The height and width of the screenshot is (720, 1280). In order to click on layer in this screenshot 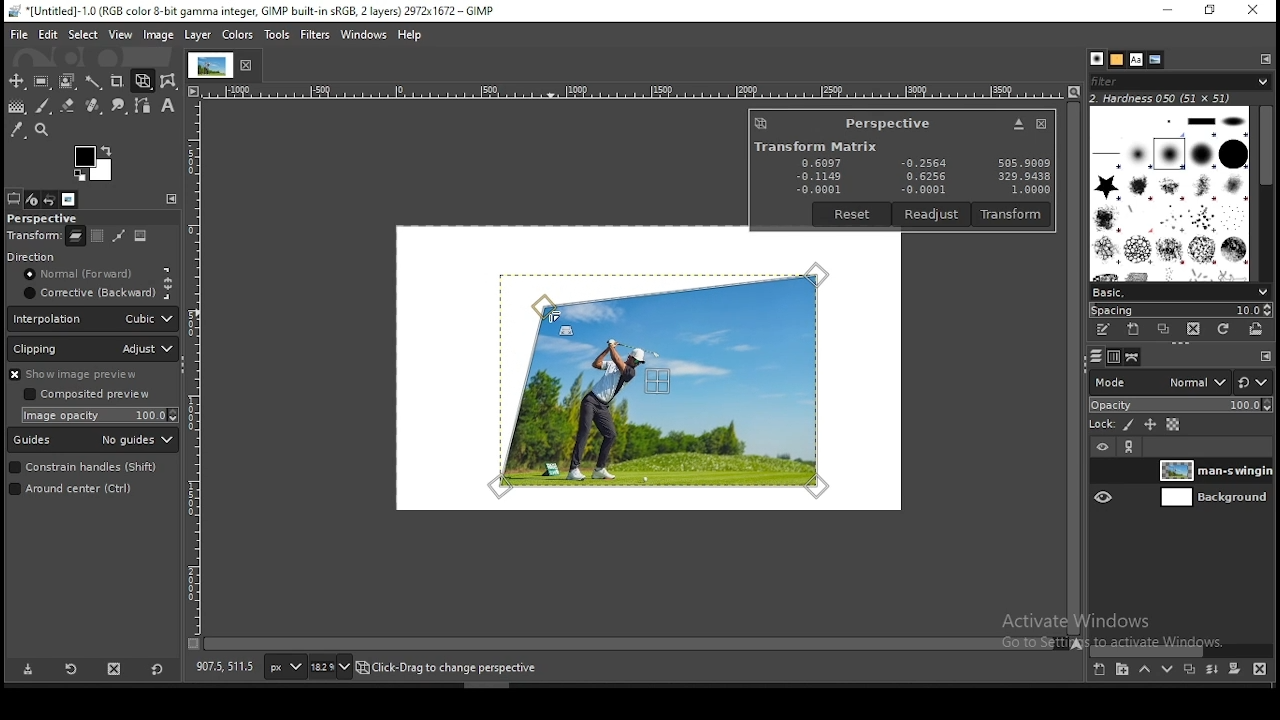, I will do `click(198, 35)`.